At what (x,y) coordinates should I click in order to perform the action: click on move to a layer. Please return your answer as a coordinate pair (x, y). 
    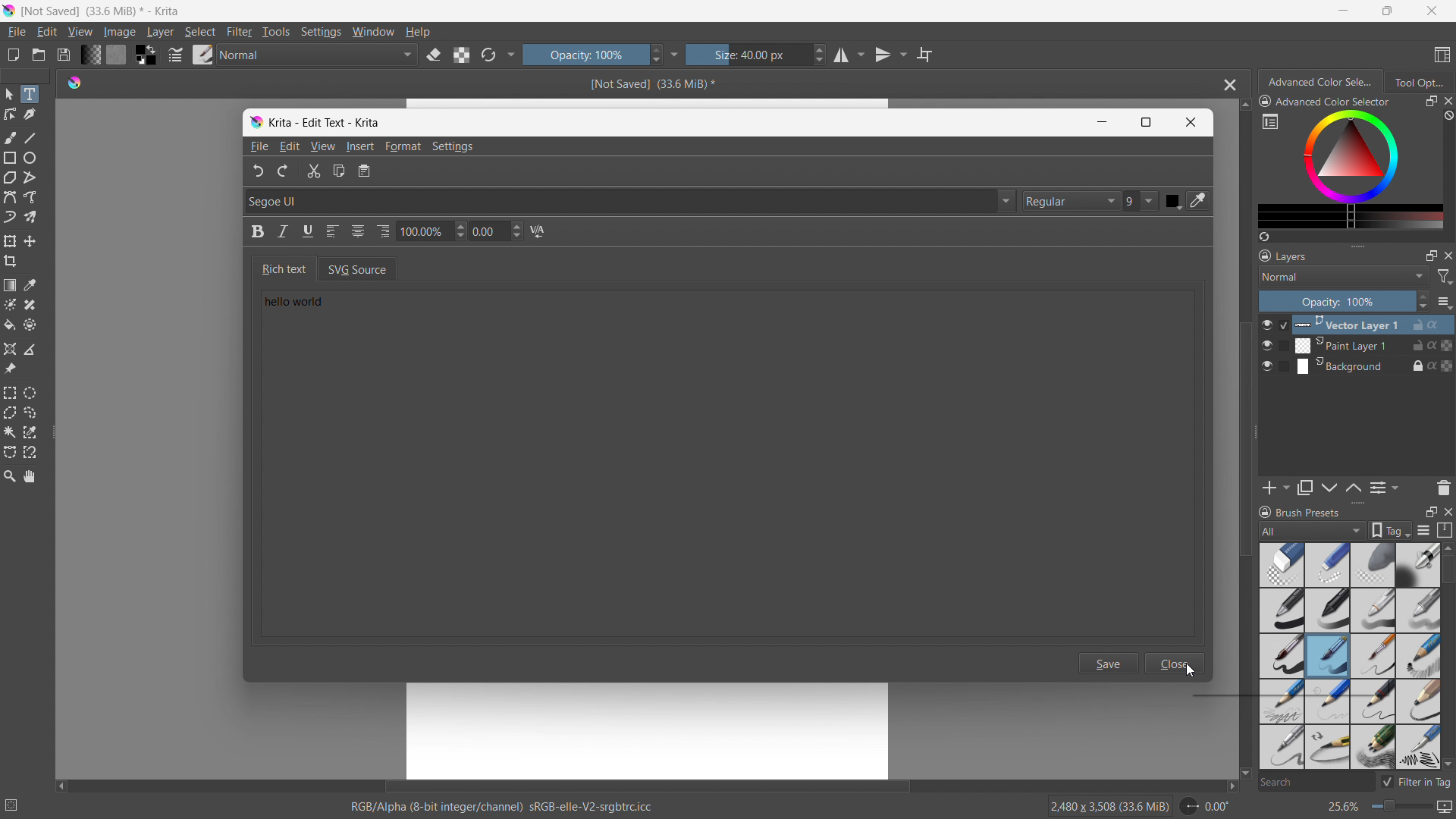
    Looking at the image, I should click on (30, 241).